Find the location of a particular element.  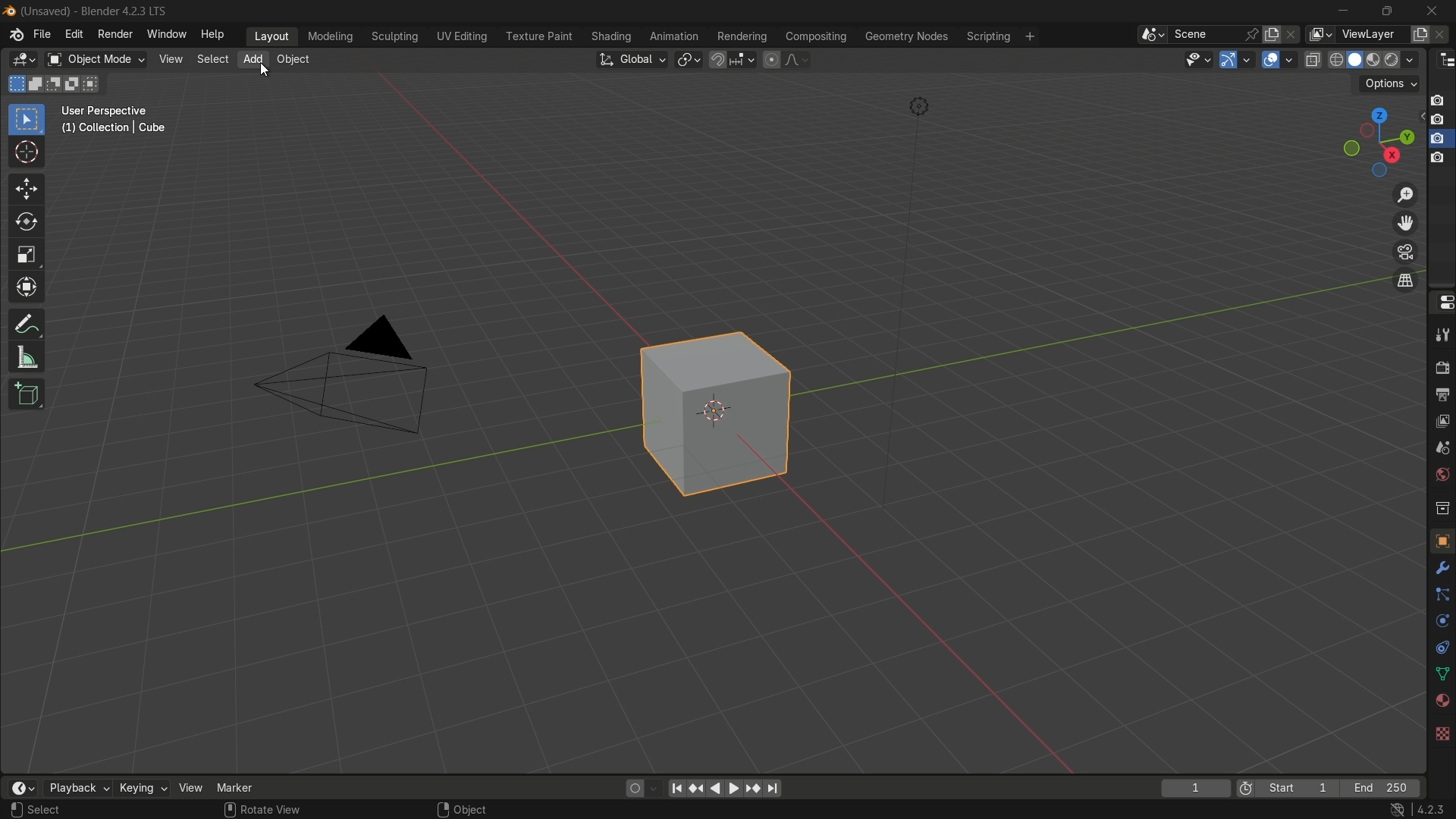

Start 1 is located at coordinates (1302, 789).